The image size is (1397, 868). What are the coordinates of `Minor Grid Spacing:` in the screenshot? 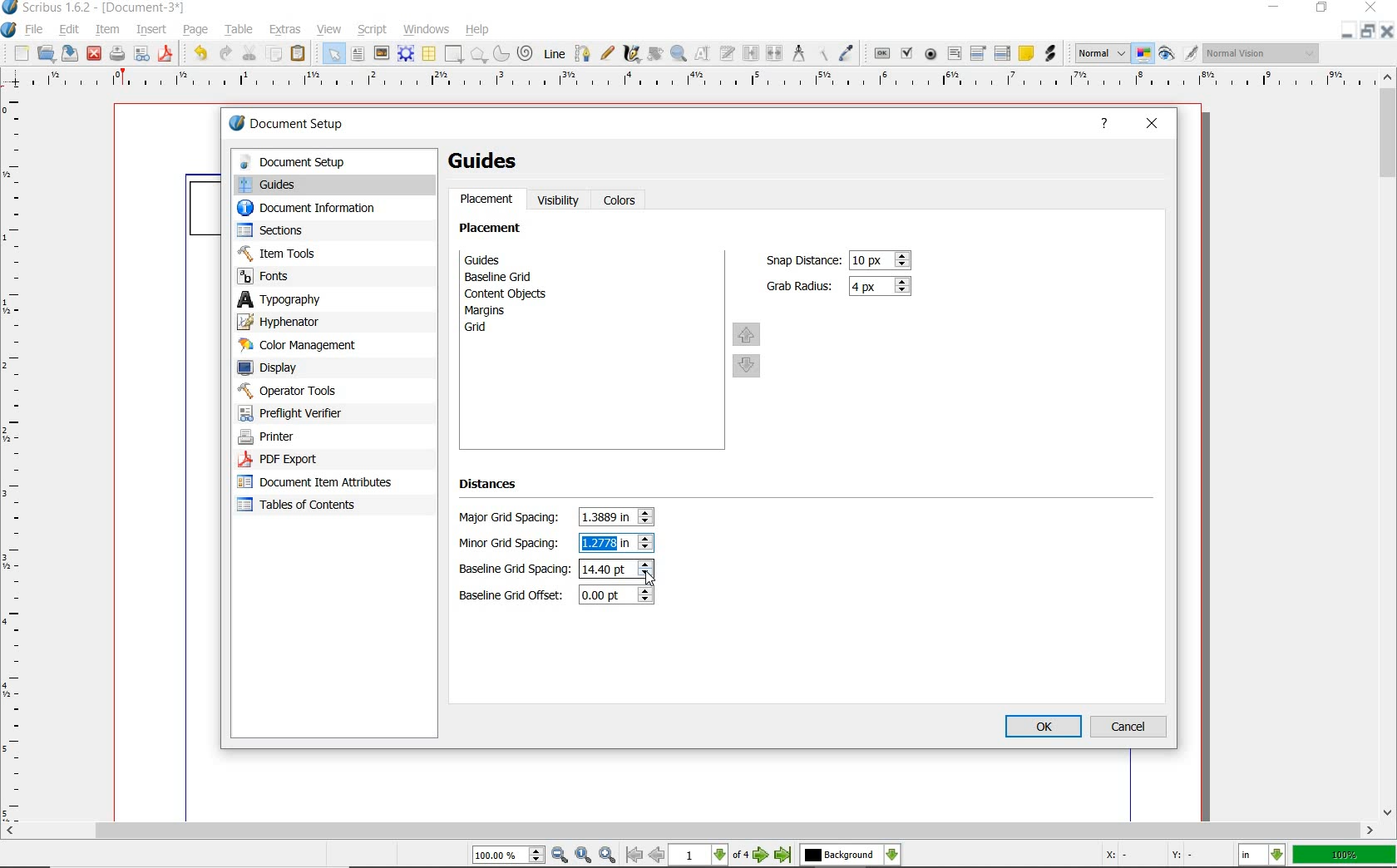 It's located at (514, 544).